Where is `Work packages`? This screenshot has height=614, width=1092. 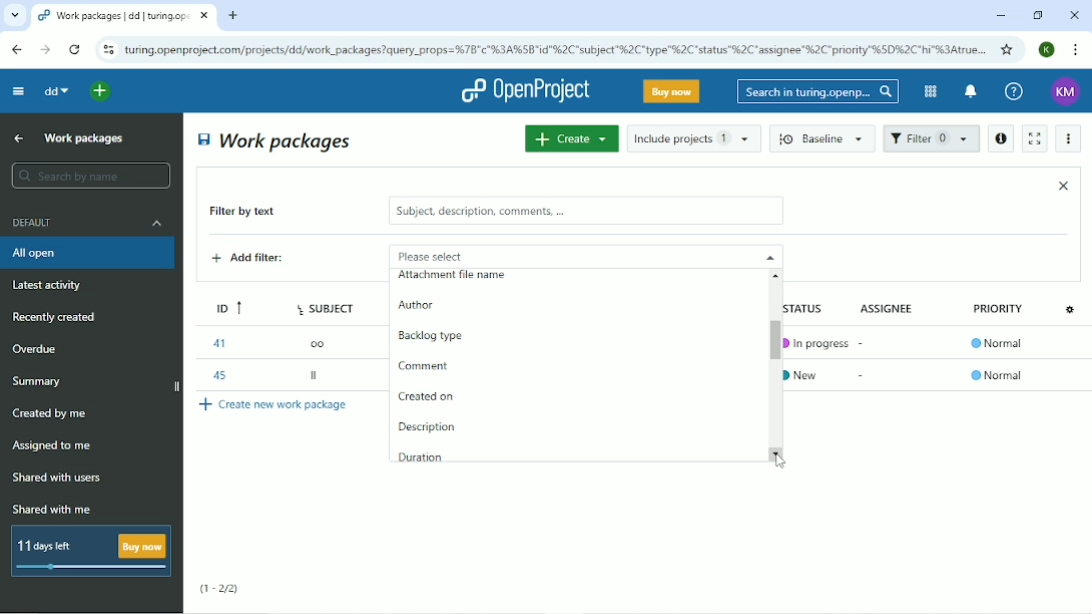 Work packages is located at coordinates (276, 140).